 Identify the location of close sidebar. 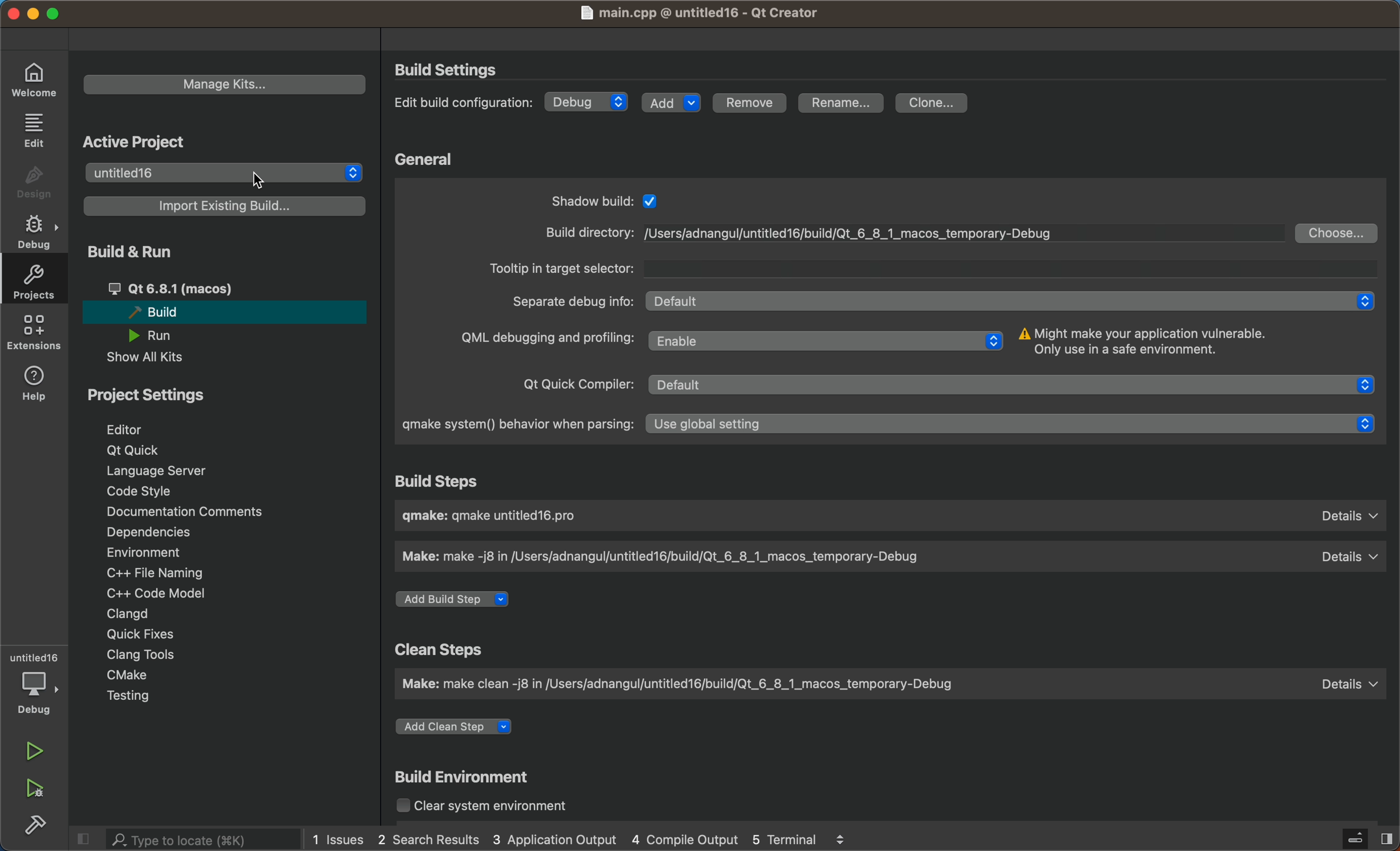
(1352, 836).